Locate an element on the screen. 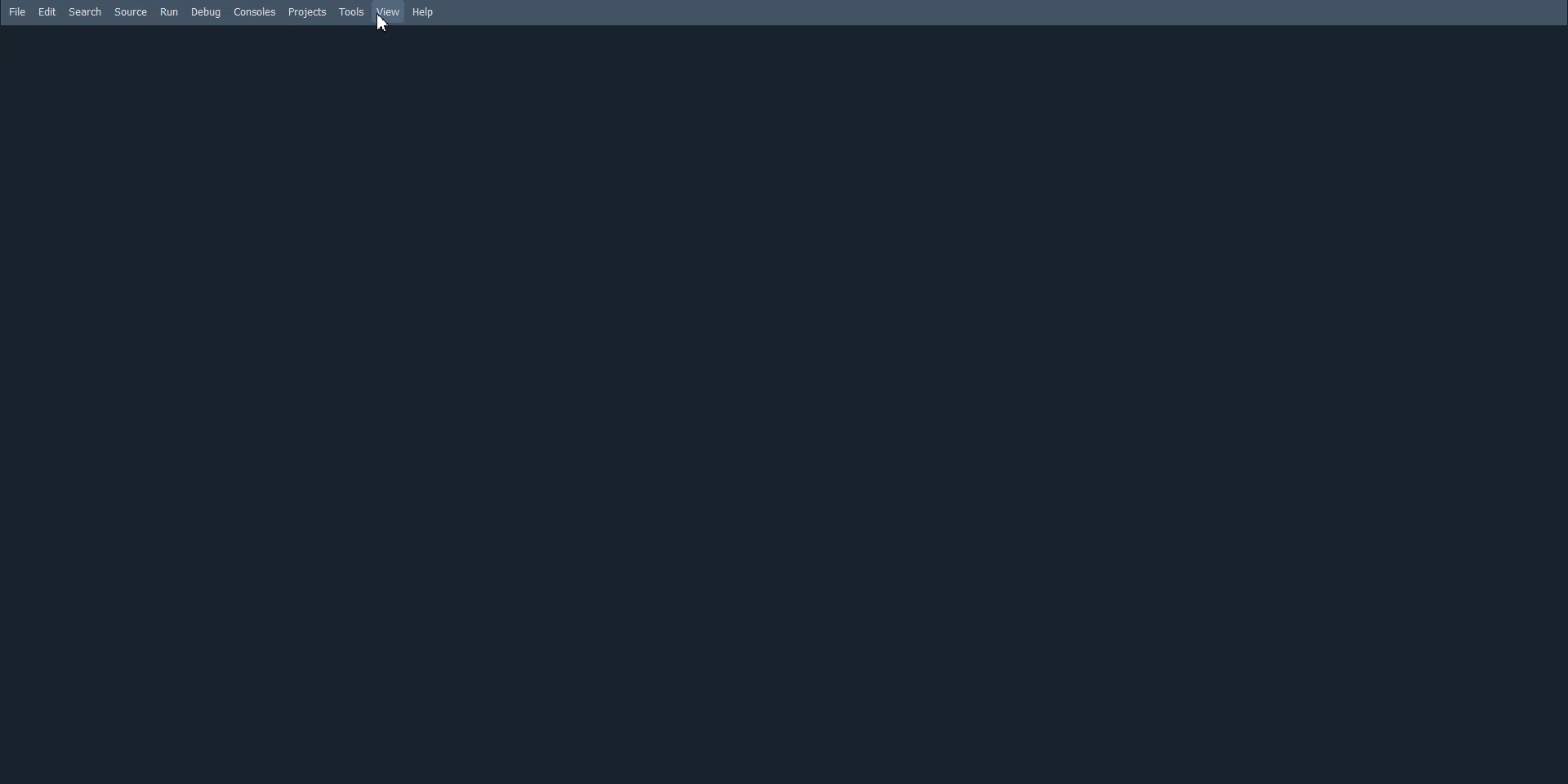 The height and width of the screenshot is (784, 1568). Source is located at coordinates (131, 11).